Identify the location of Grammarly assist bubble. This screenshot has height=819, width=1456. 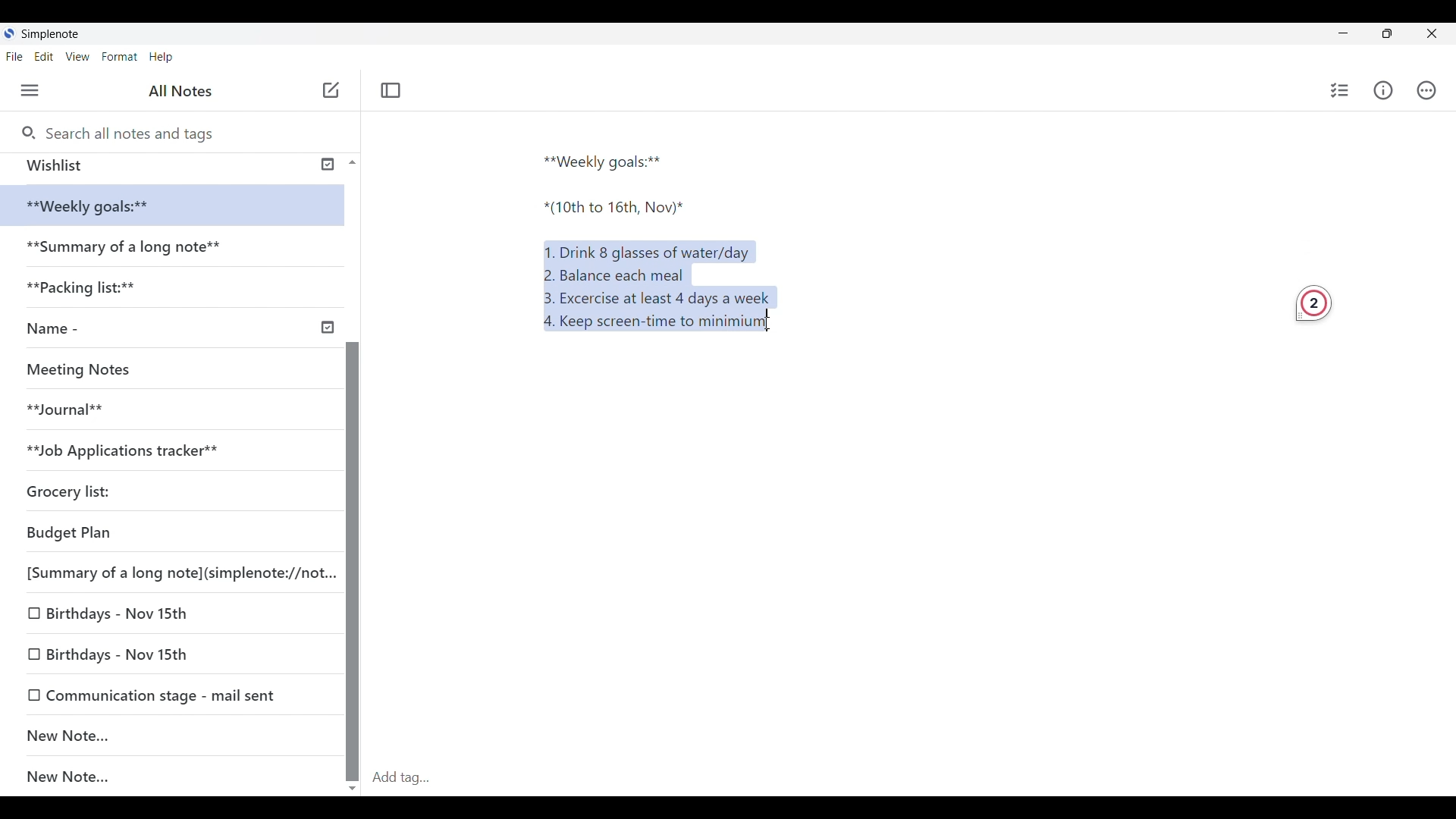
(1307, 301).